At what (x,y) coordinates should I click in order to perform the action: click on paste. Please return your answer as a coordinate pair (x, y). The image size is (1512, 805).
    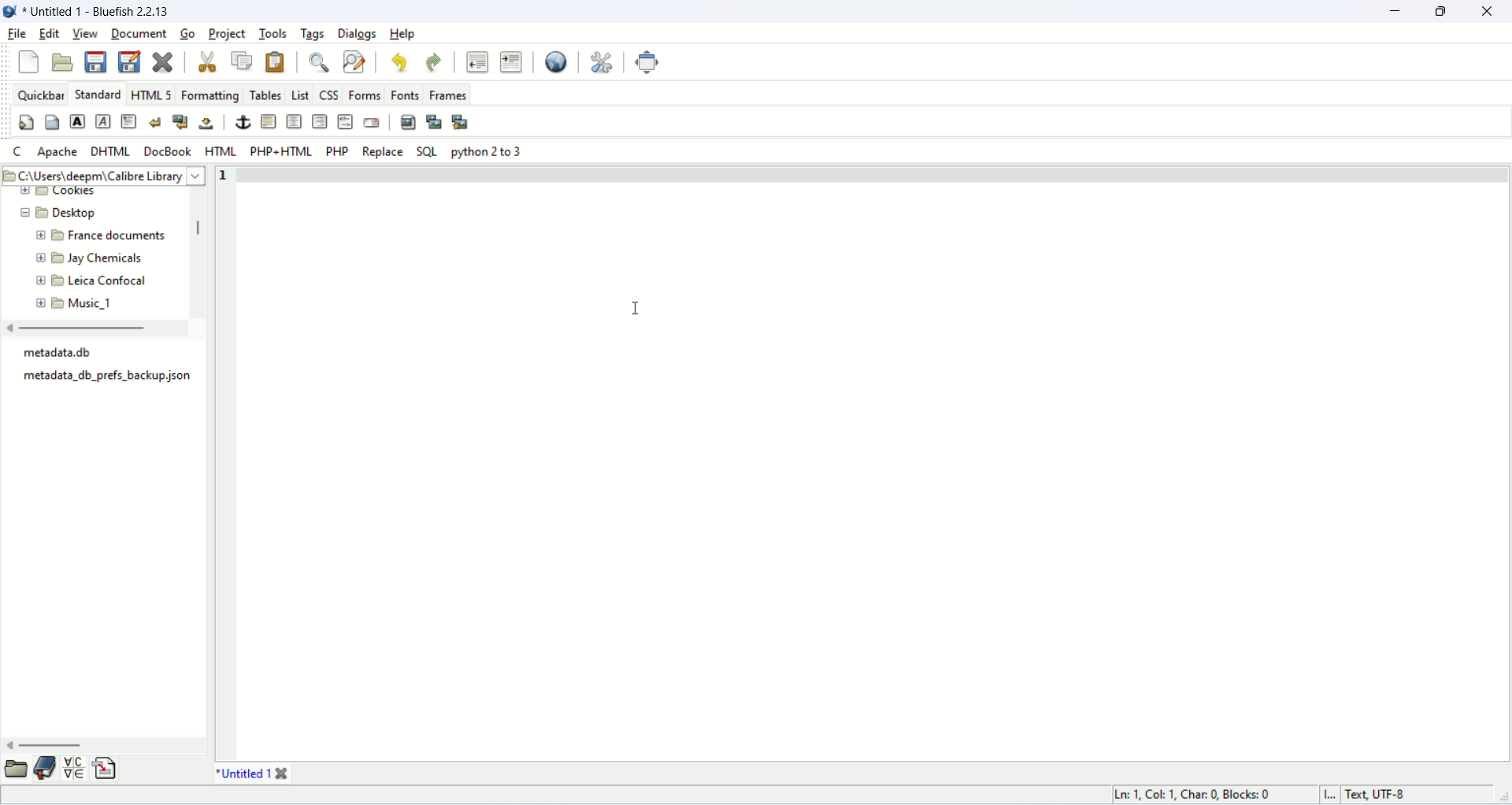
    Looking at the image, I should click on (274, 63).